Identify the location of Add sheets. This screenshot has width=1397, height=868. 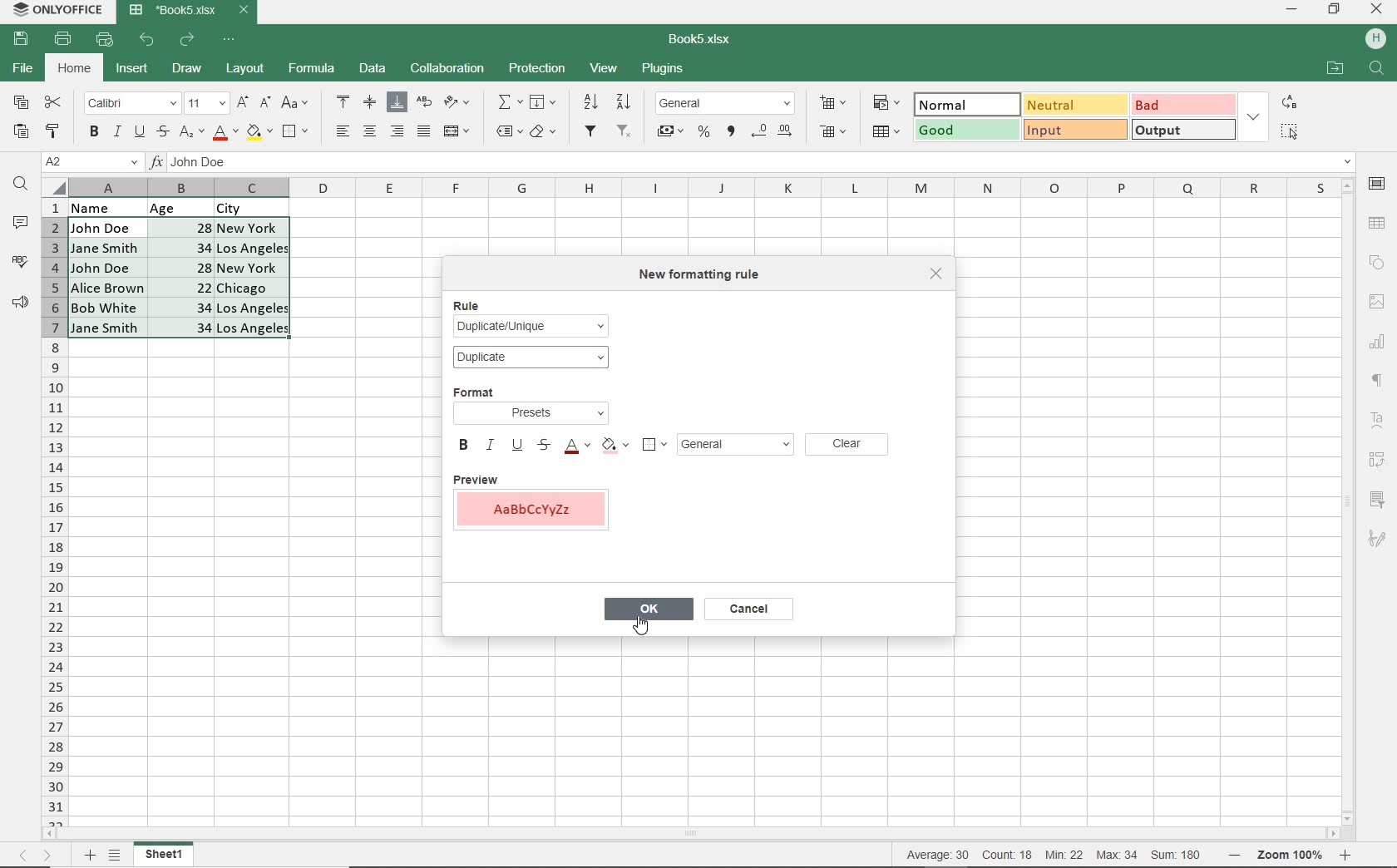
(87, 855).